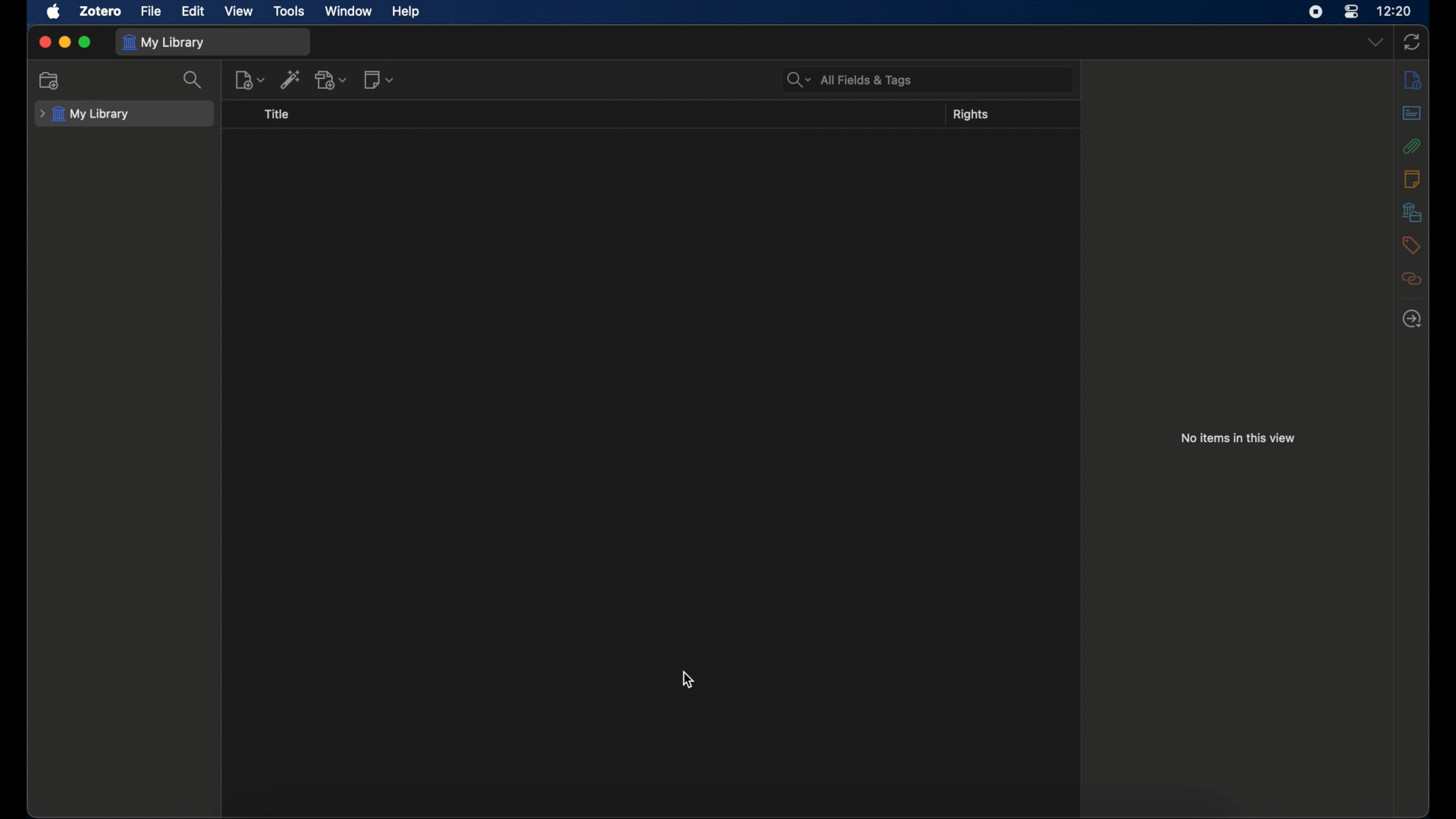  I want to click on info, so click(1414, 80).